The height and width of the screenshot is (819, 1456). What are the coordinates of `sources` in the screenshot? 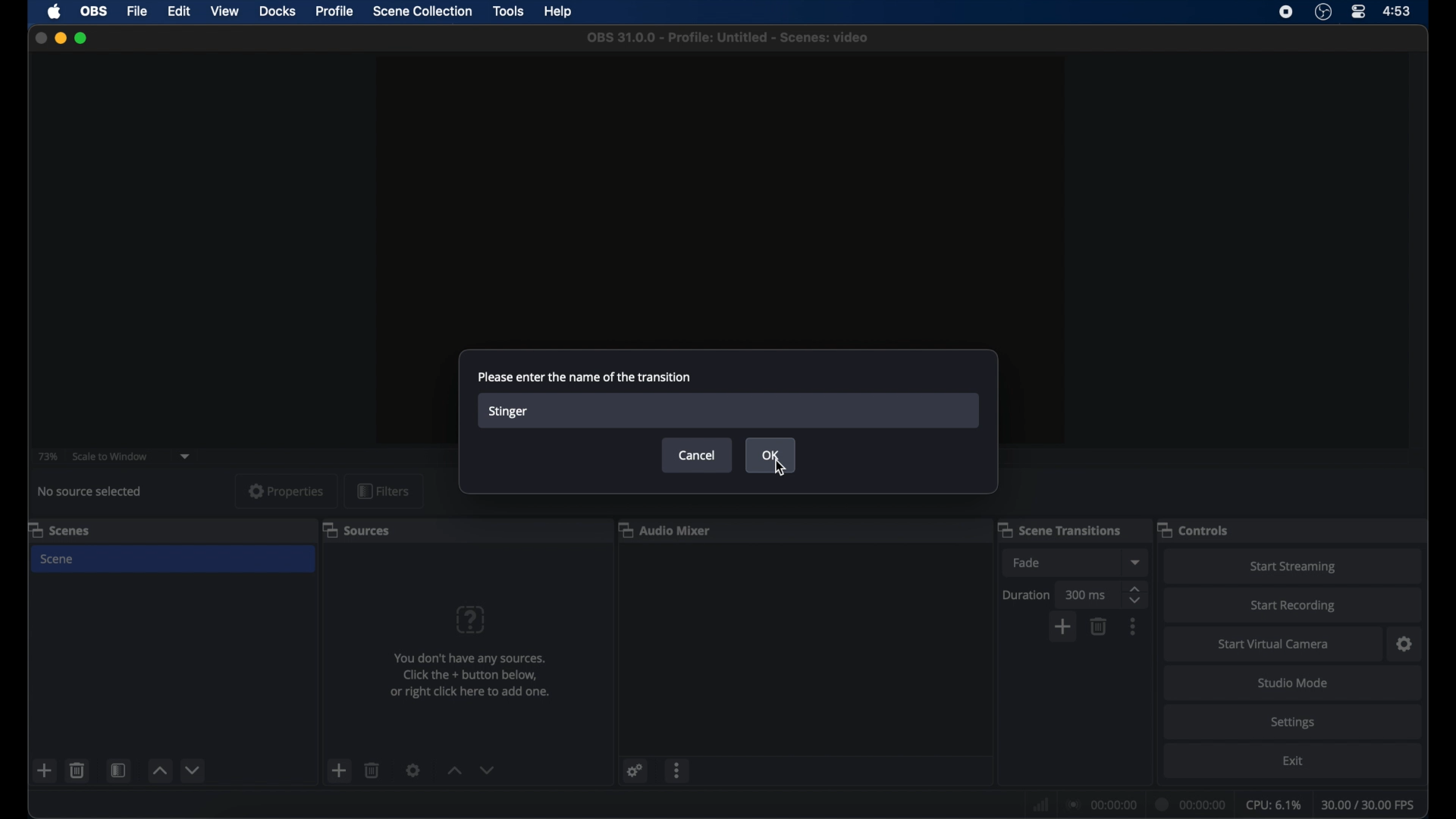 It's located at (356, 529).